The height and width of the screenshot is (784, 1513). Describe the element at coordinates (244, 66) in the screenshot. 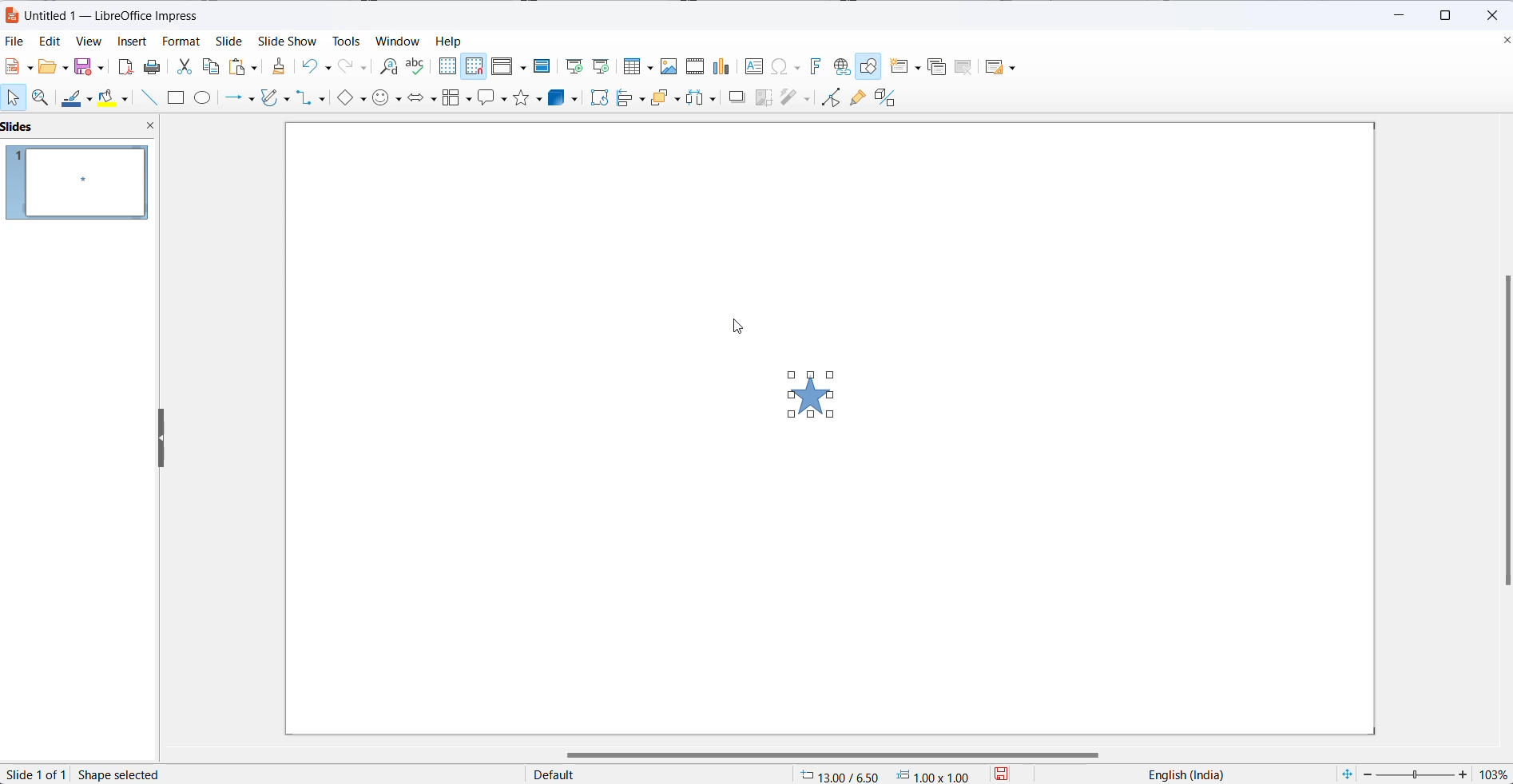

I see `paste options` at that location.